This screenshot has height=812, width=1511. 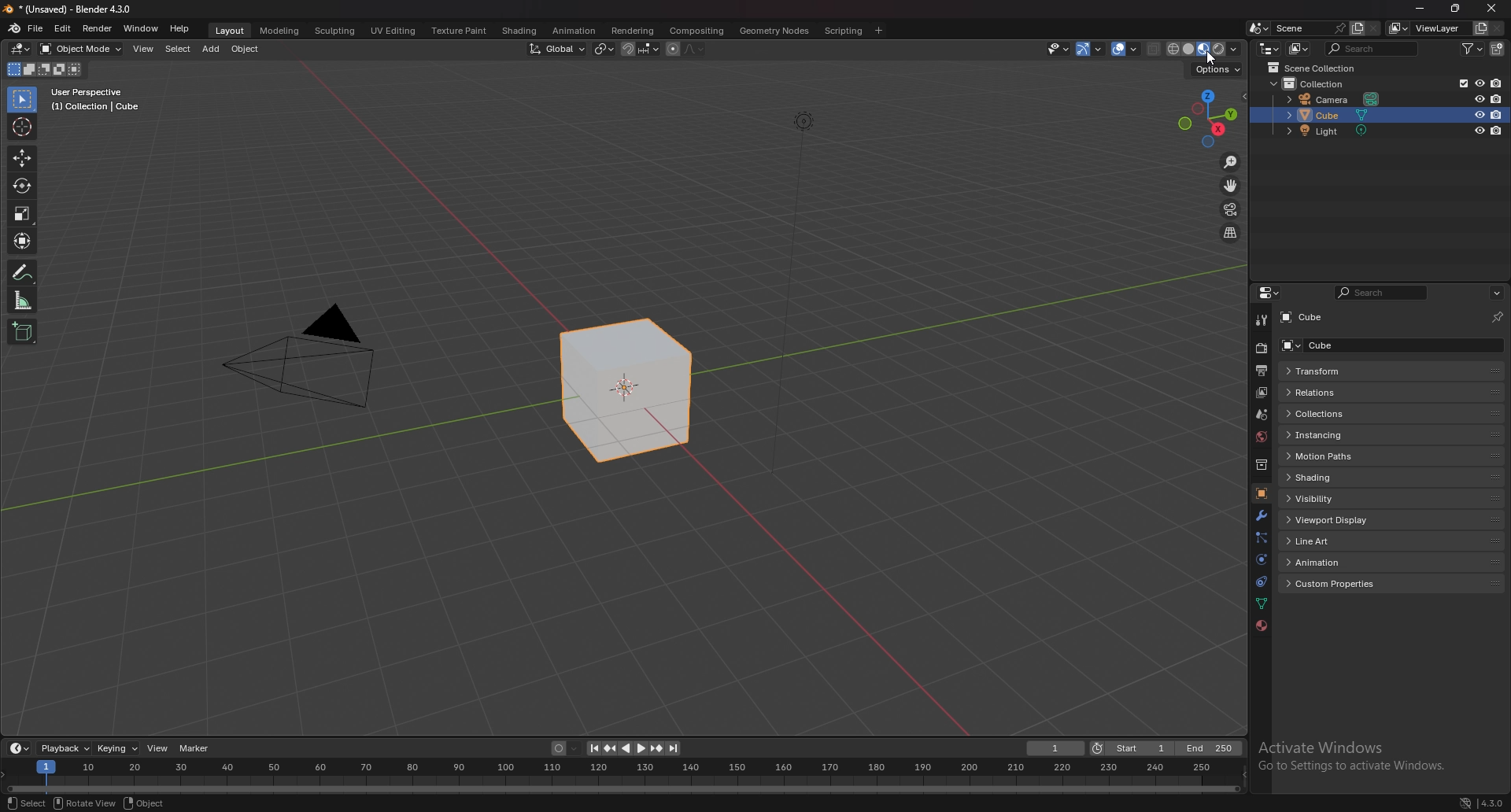 I want to click on object, so click(x=1261, y=494).